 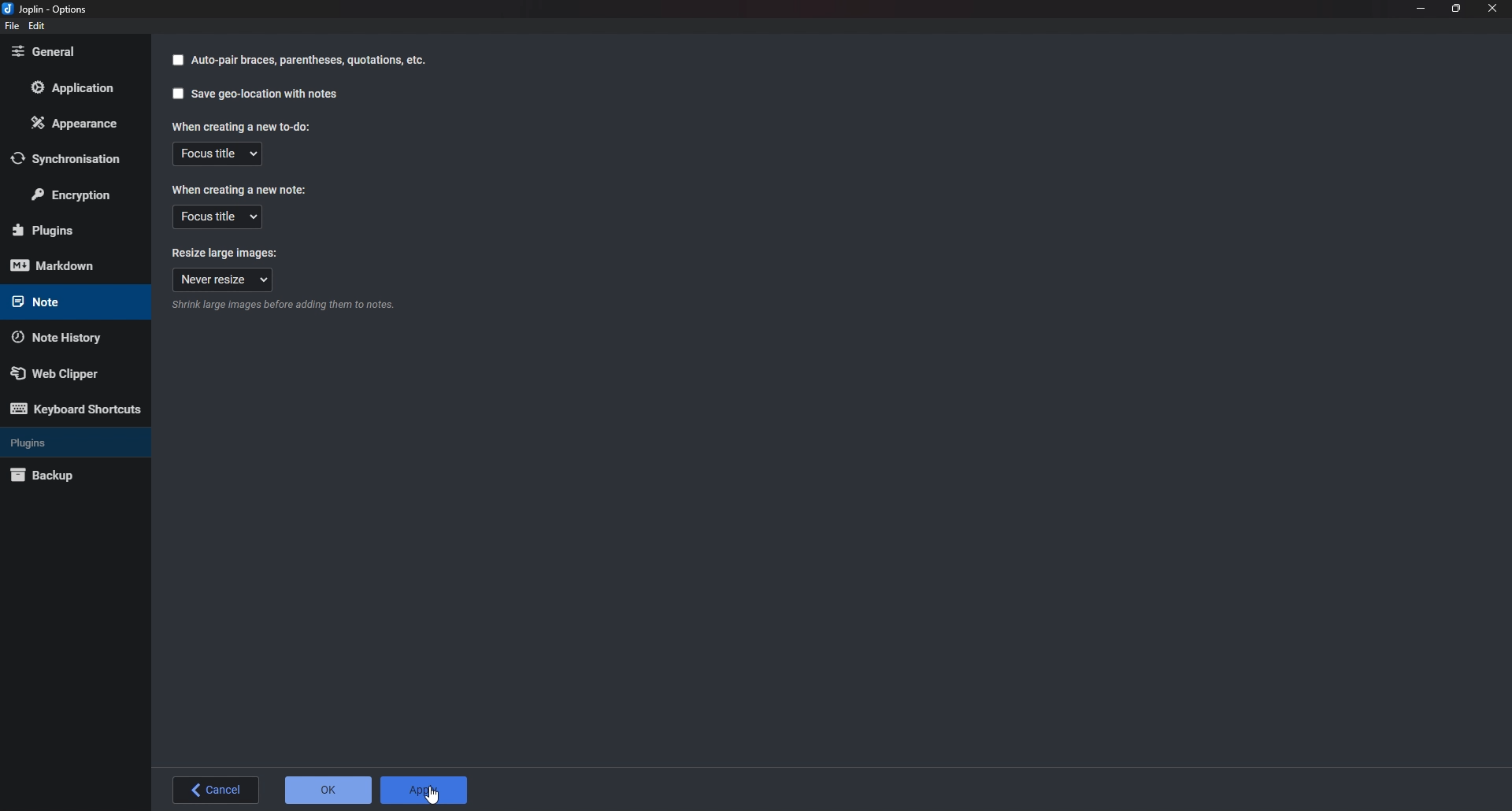 I want to click on Minimize, so click(x=1421, y=9).